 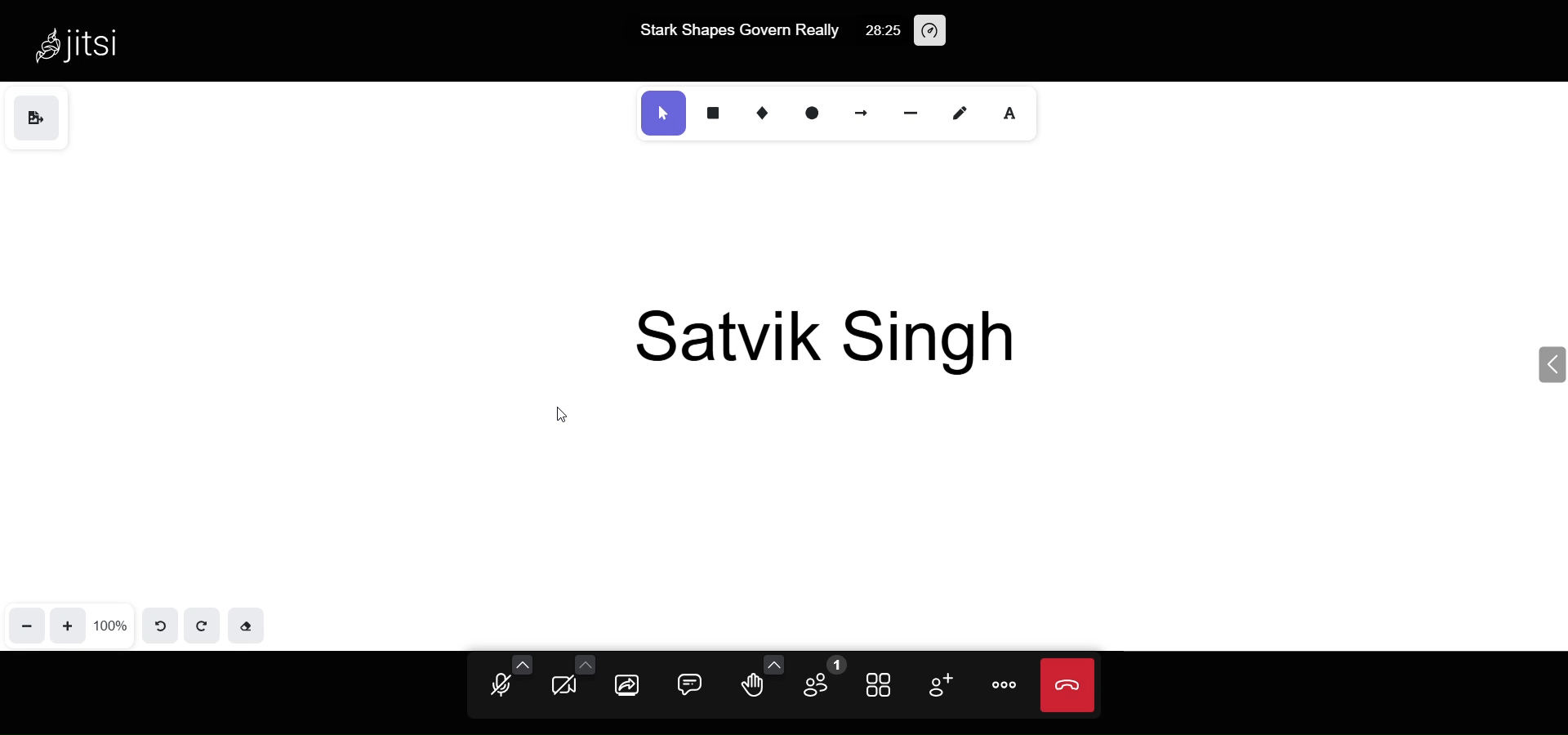 I want to click on raise hand, so click(x=753, y=689).